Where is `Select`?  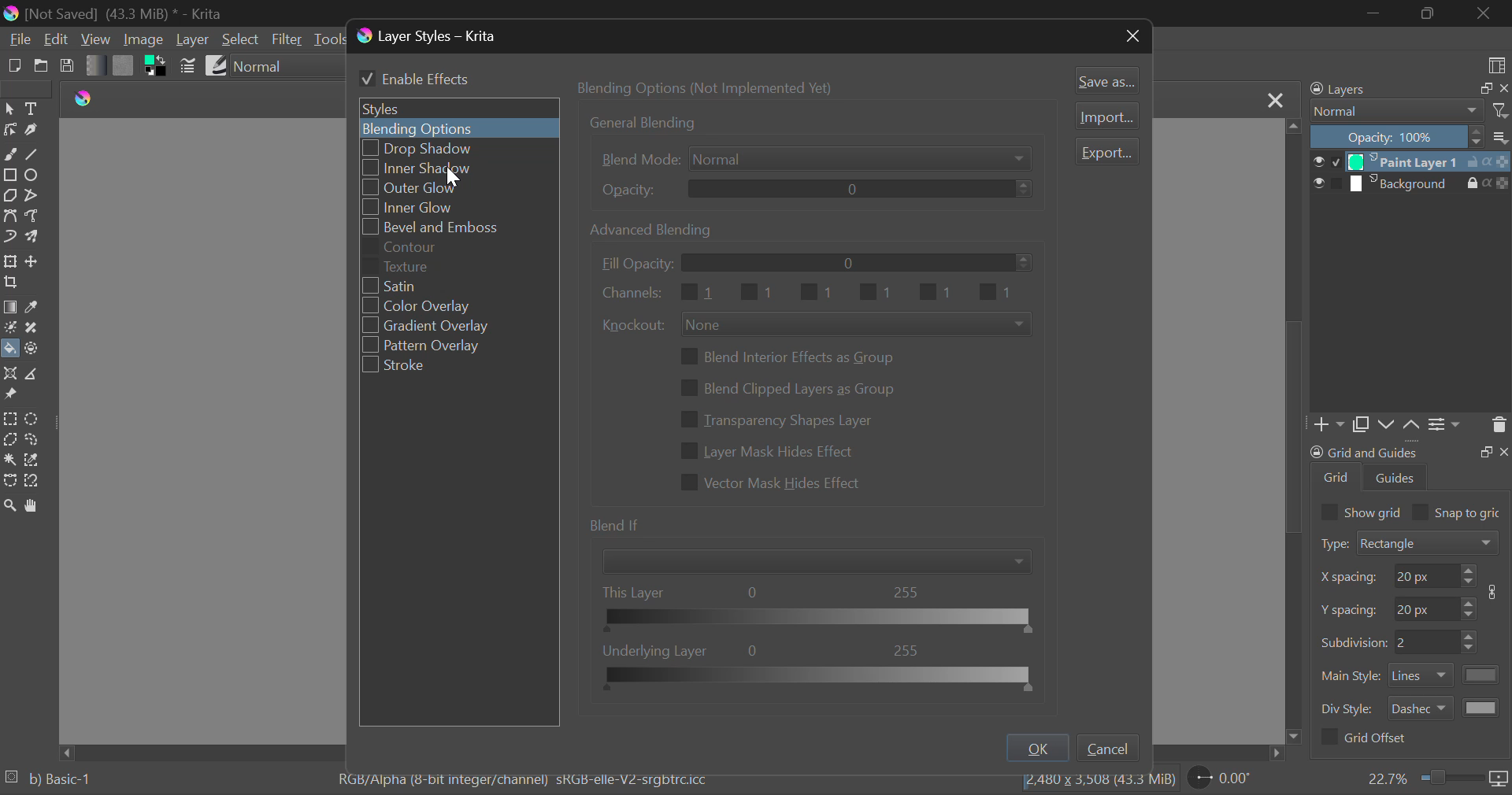
Select is located at coordinates (10, 109).